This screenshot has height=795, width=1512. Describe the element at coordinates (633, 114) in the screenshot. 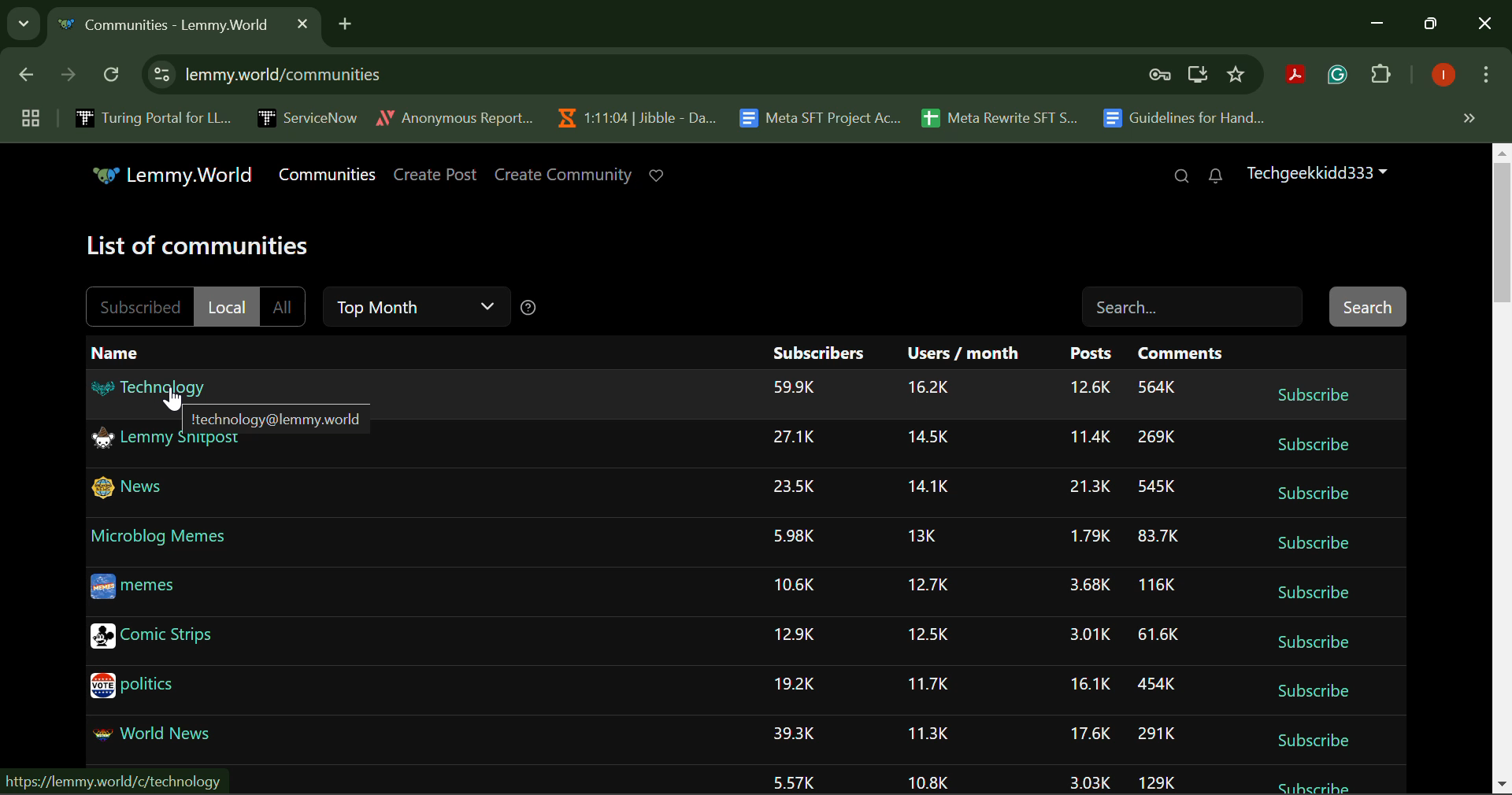

I see `Jibble` at that location.